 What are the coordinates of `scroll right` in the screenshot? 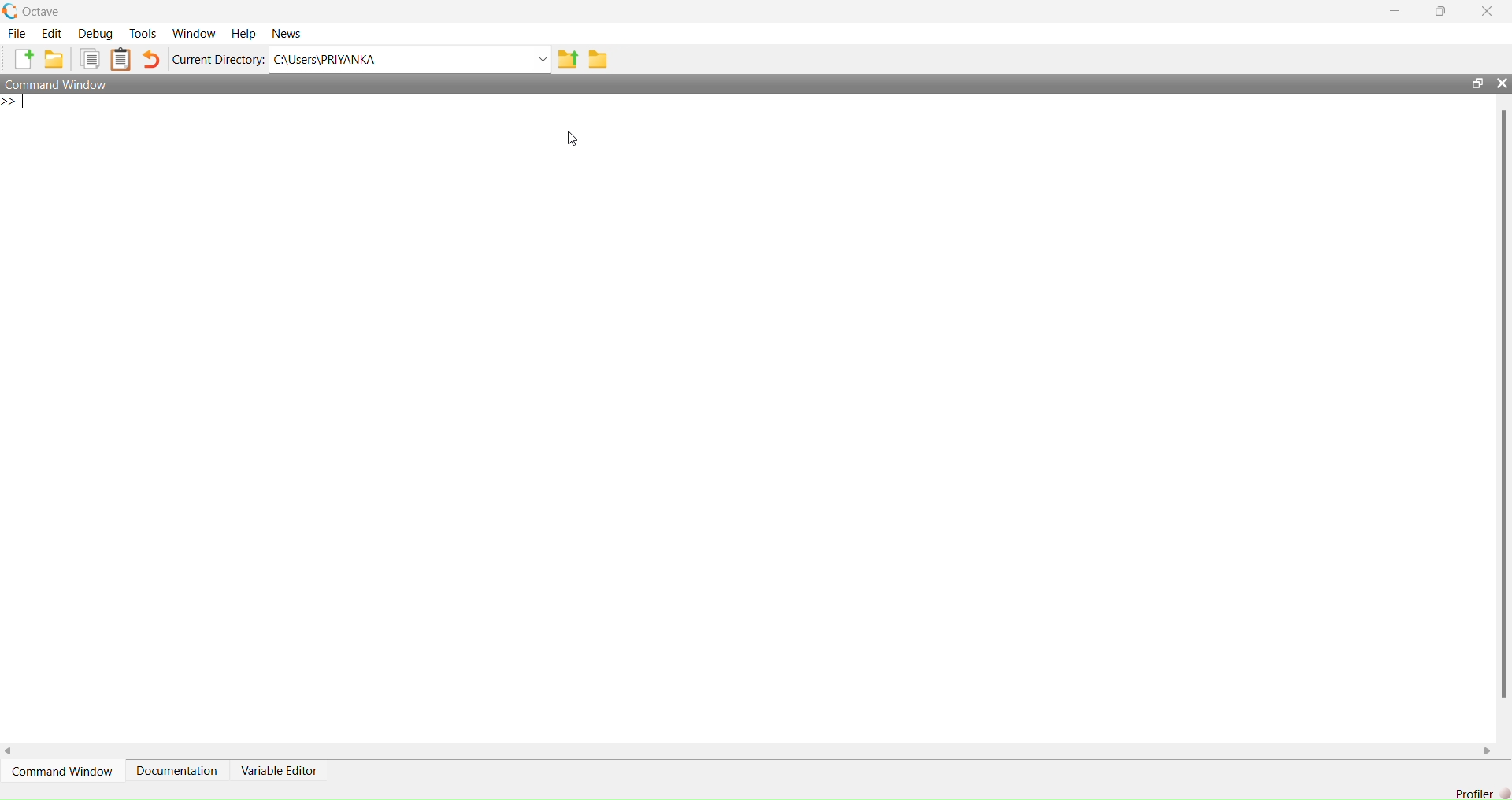 It's located at (1488, 751).